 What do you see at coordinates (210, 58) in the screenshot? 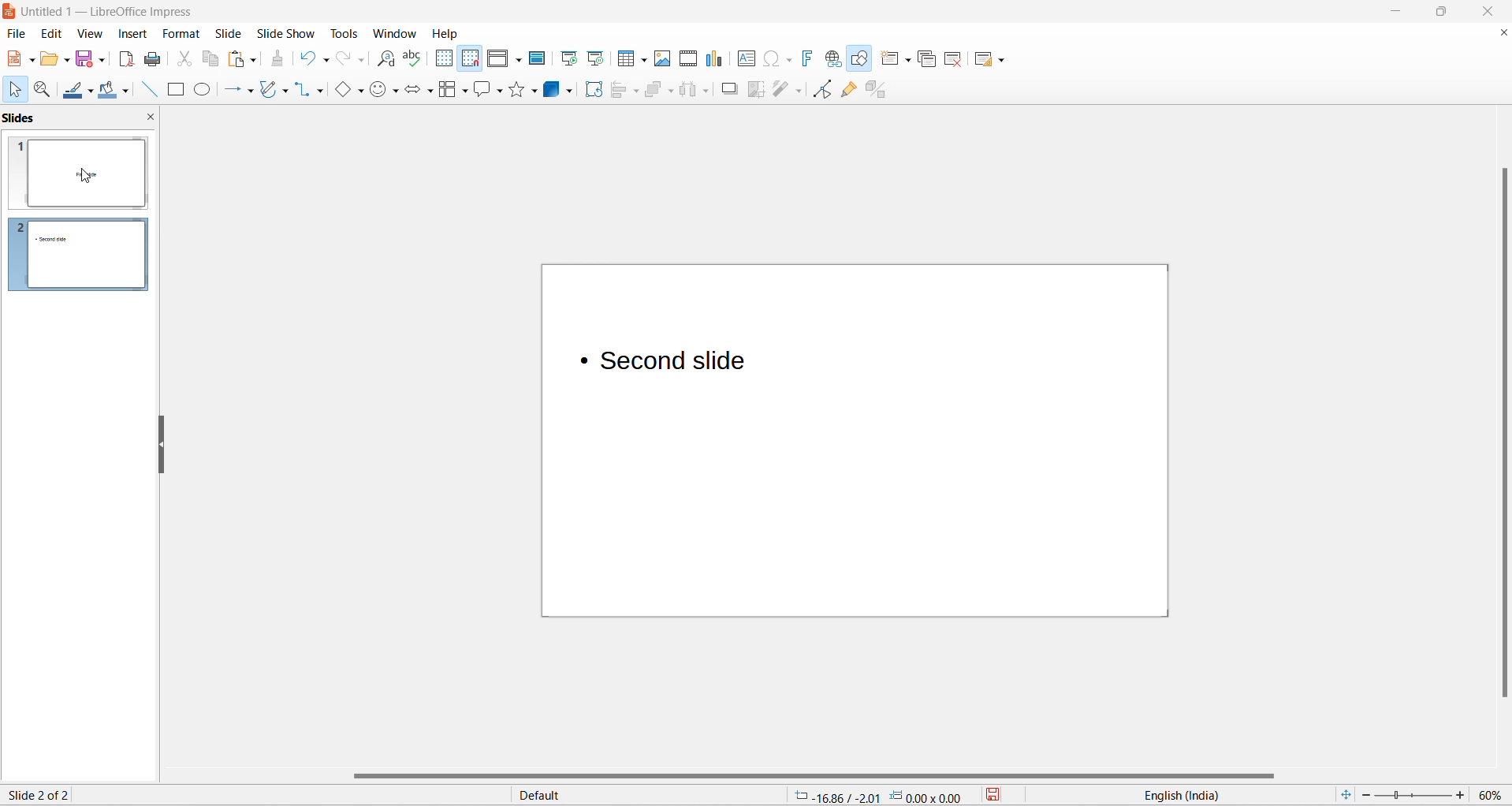
I see `copy` at bounding box center [210, 58].